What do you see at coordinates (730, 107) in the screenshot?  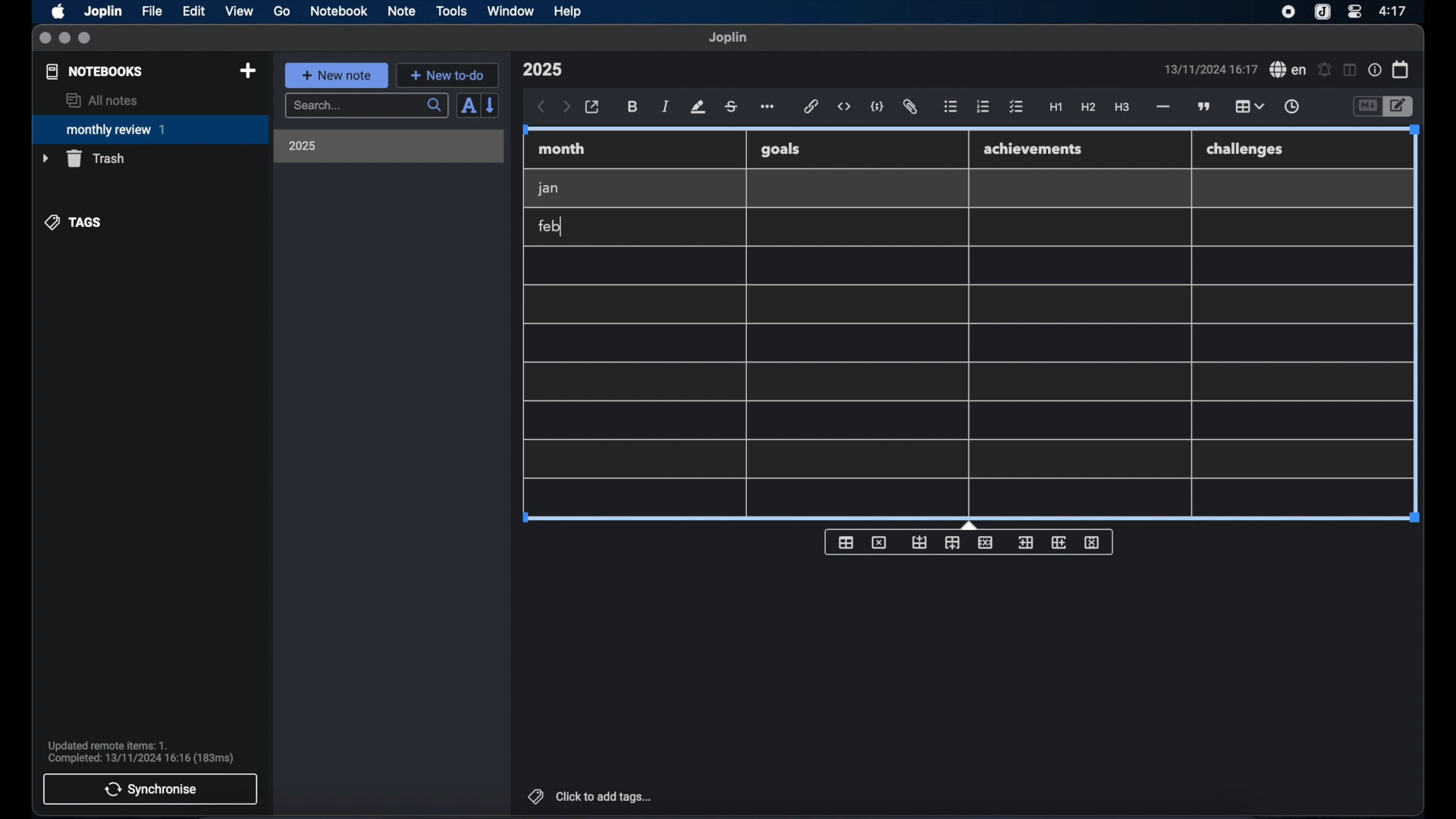 I see `strikethrough` at bounding box center [730, 107].